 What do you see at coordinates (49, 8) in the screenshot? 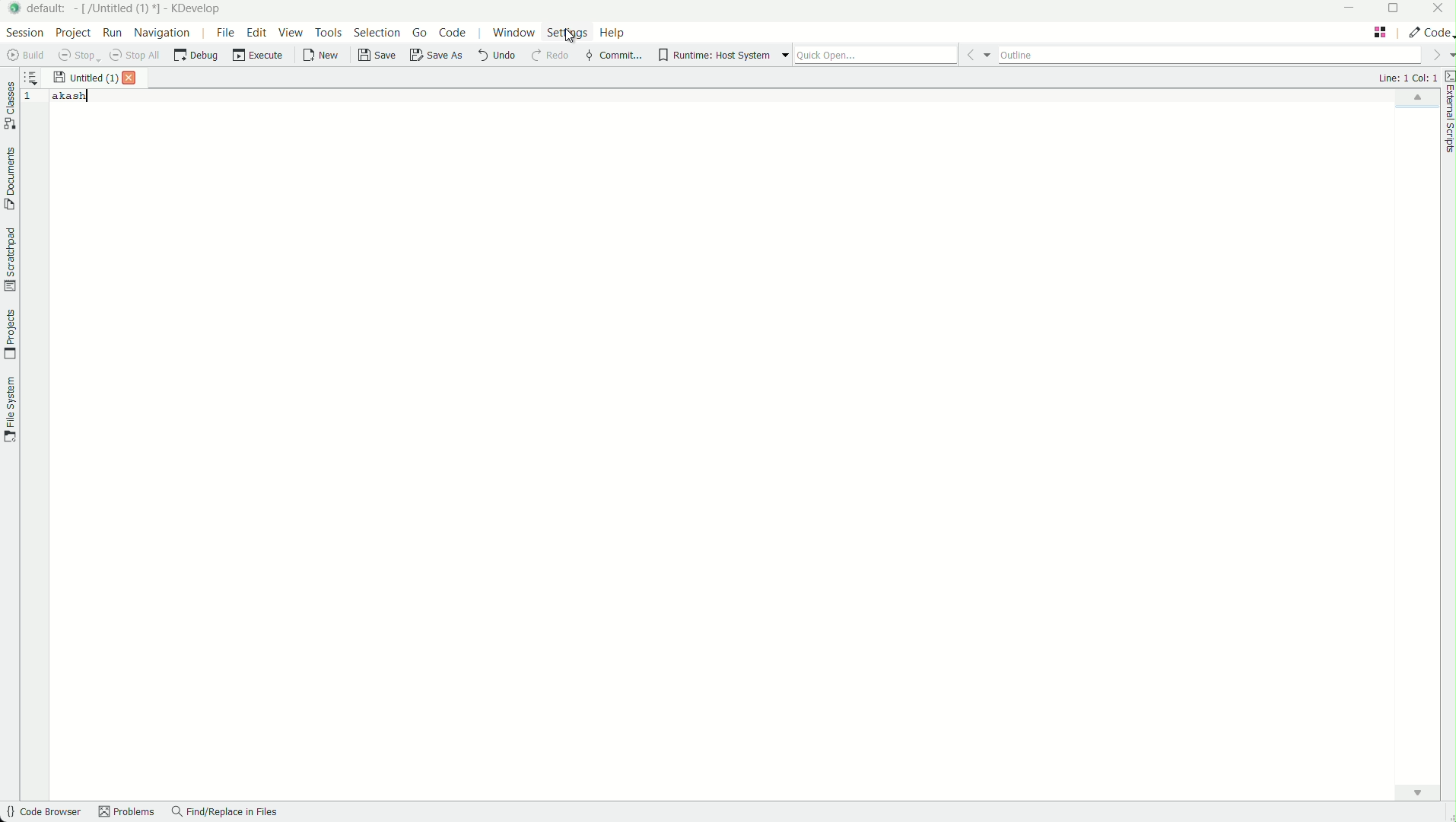
I see `default` at bounding box center [49, 8].